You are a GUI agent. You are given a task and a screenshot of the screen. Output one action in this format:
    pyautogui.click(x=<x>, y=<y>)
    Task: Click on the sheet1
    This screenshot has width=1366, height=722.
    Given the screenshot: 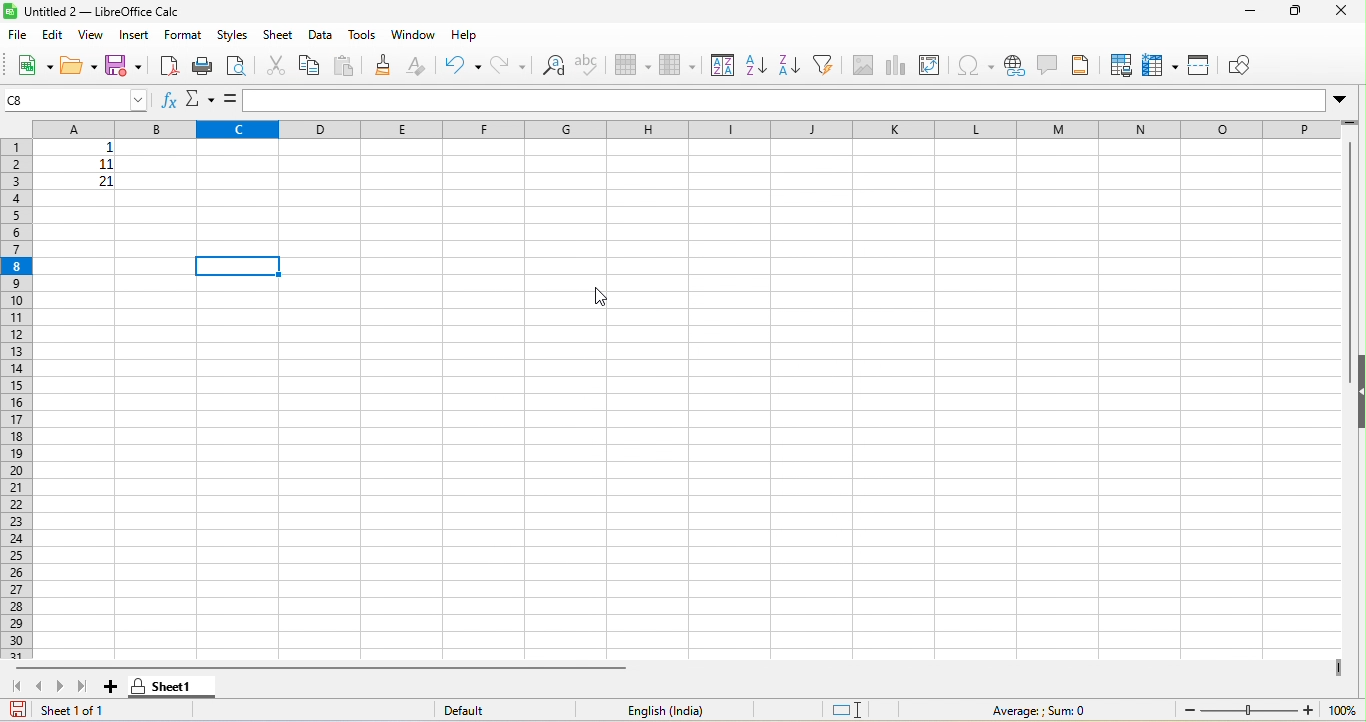 What is the action you would take?
    pyautogui.click(x=184, y=688)
    